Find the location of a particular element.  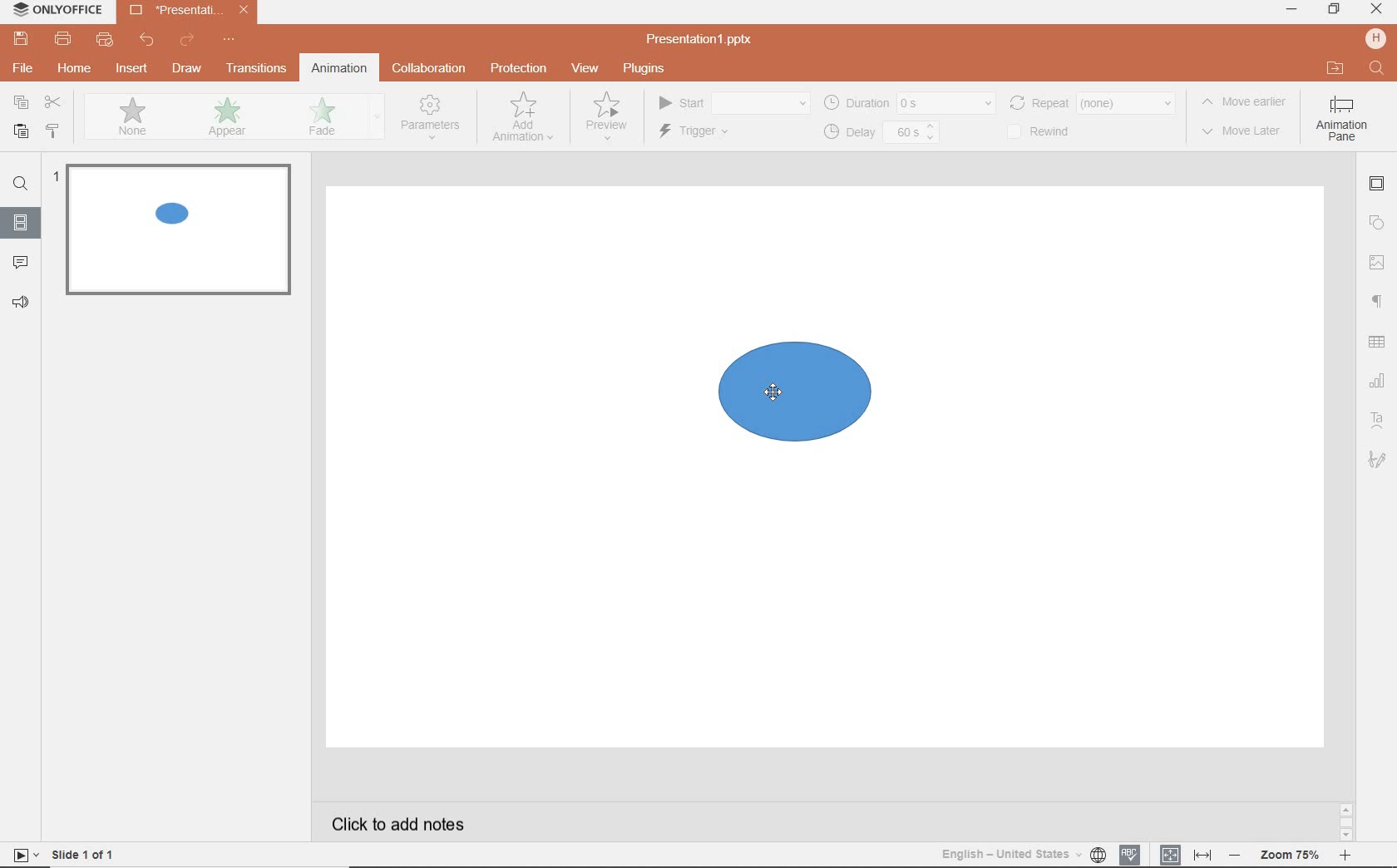

file name is located at coordinates (190, 12).